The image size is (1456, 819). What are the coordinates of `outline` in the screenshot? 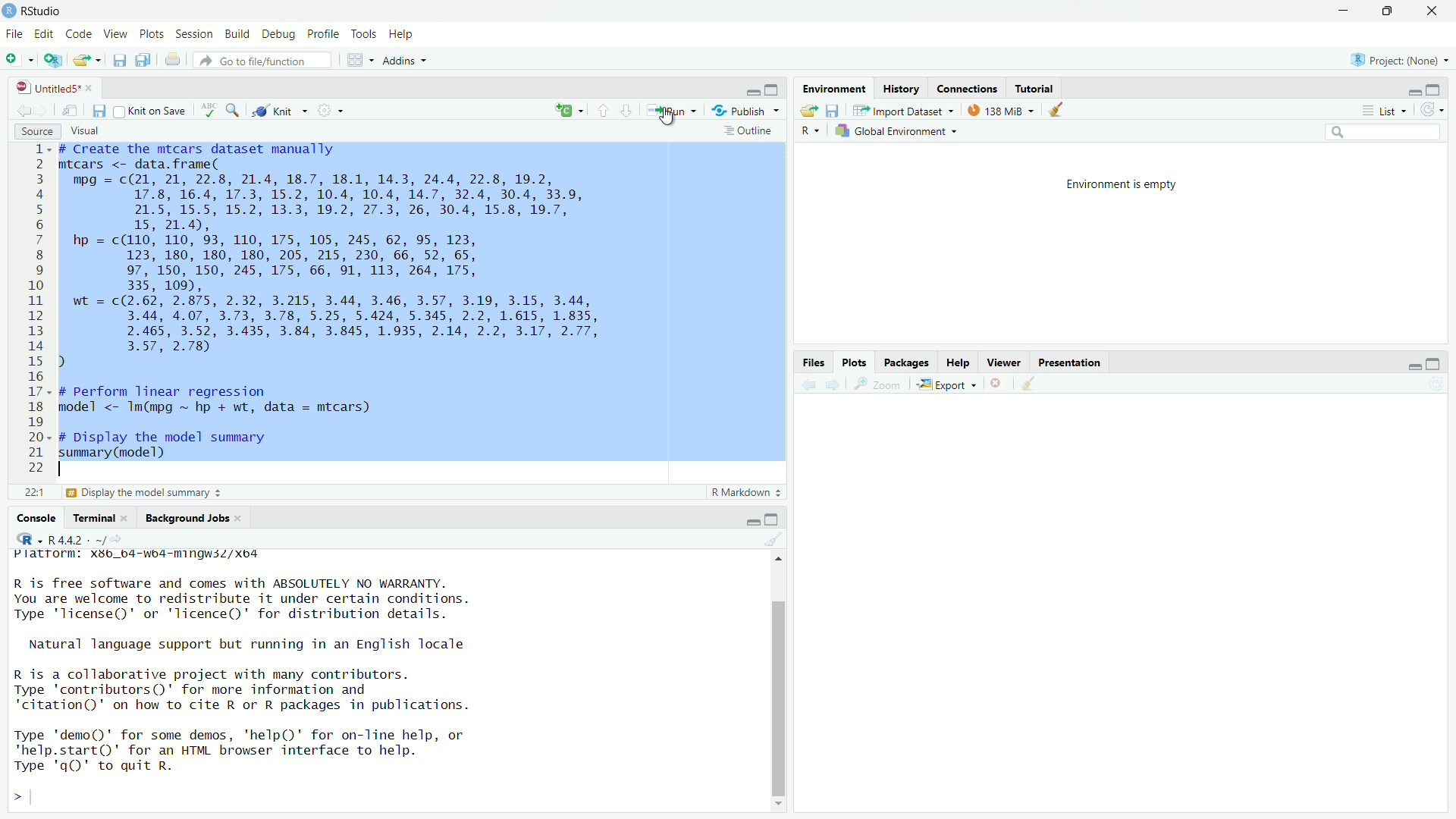 It's located at (748, 132).